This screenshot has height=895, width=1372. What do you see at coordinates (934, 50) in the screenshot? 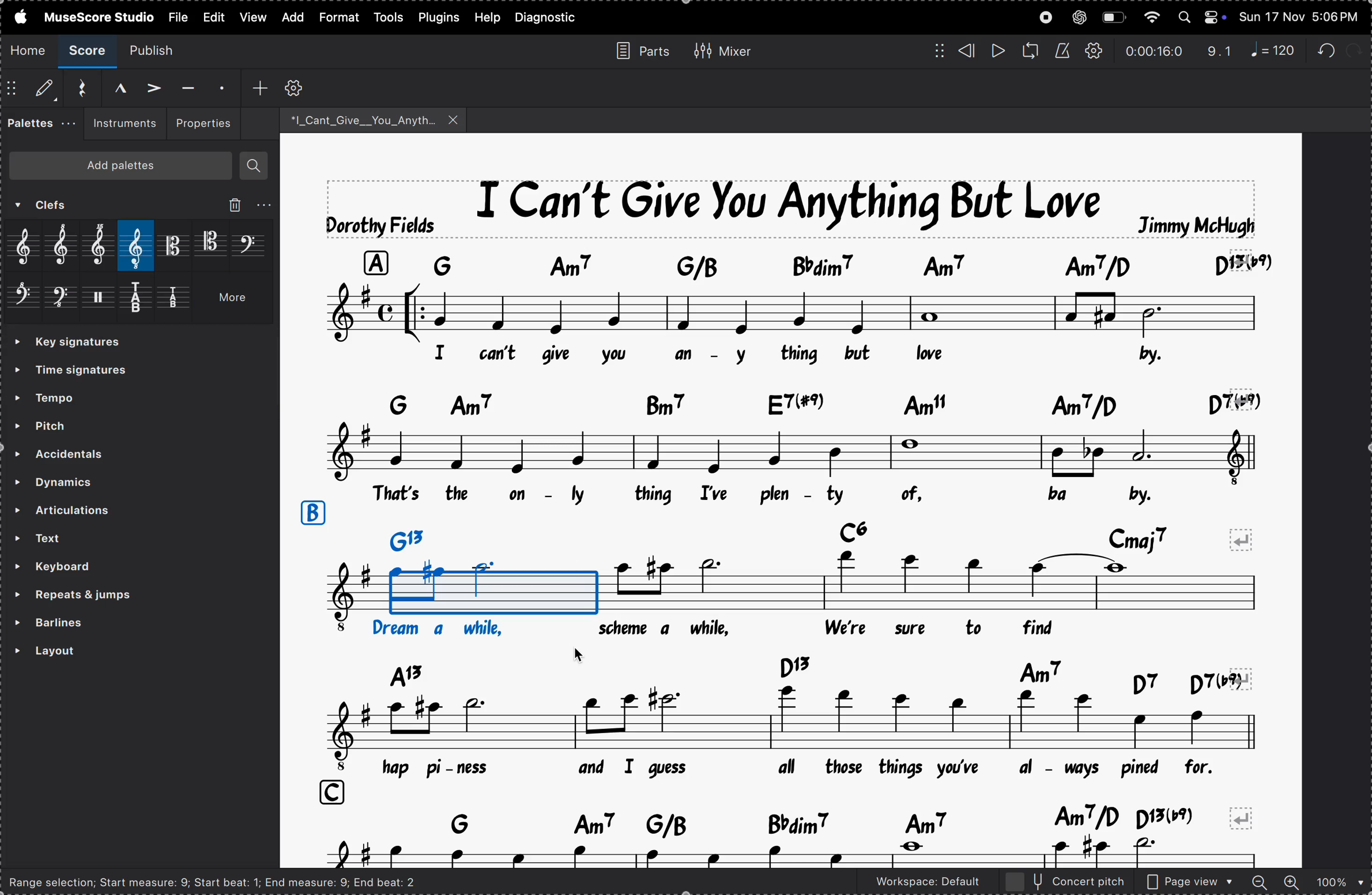
I see `matrix` at bounding box center [934, 50].